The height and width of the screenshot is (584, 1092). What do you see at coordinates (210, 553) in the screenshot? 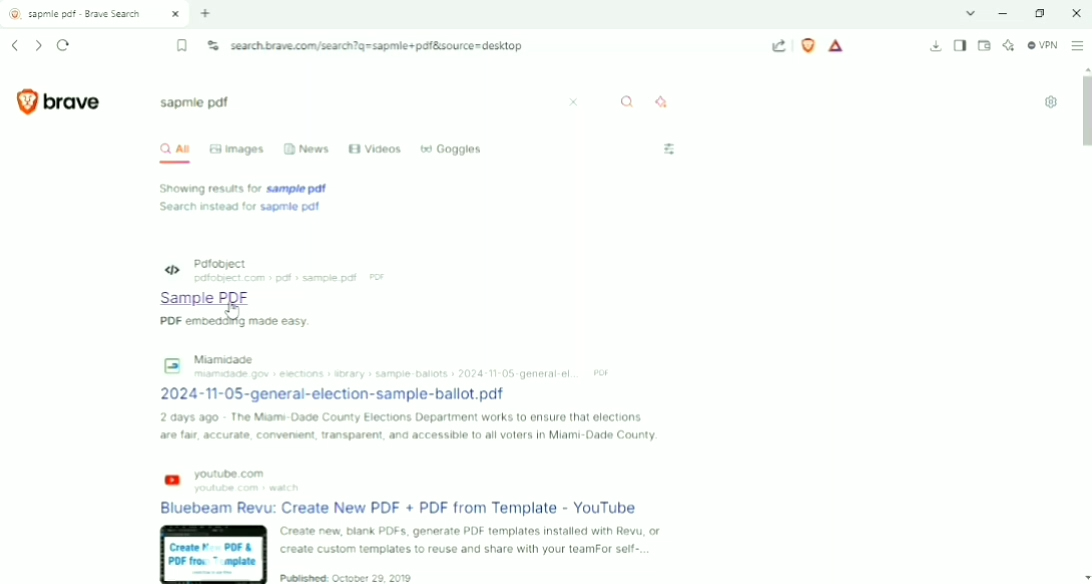
I see `thumbnail` at bounding box center [210, 553].